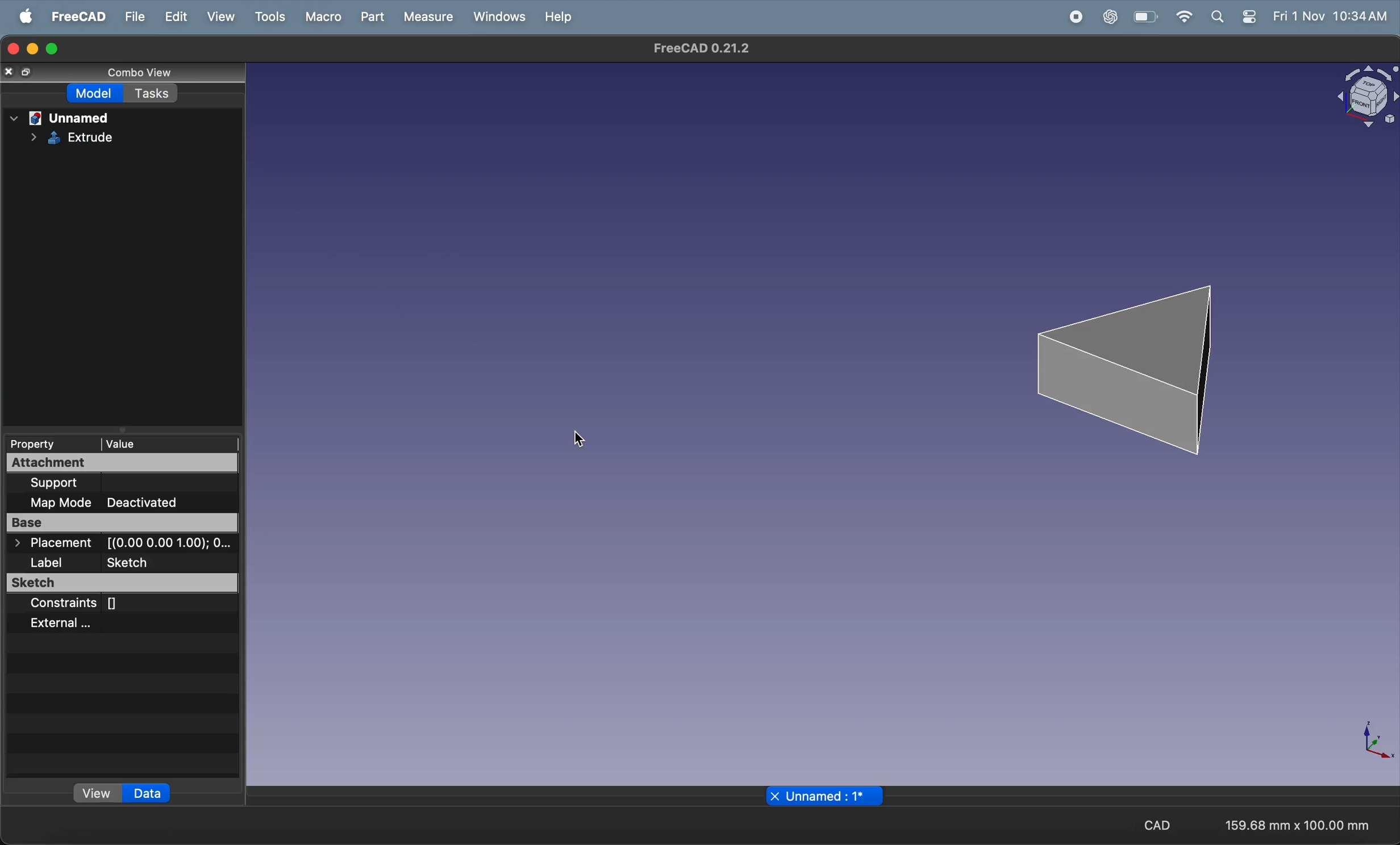  I want to click on battery, so click(1148, 17).